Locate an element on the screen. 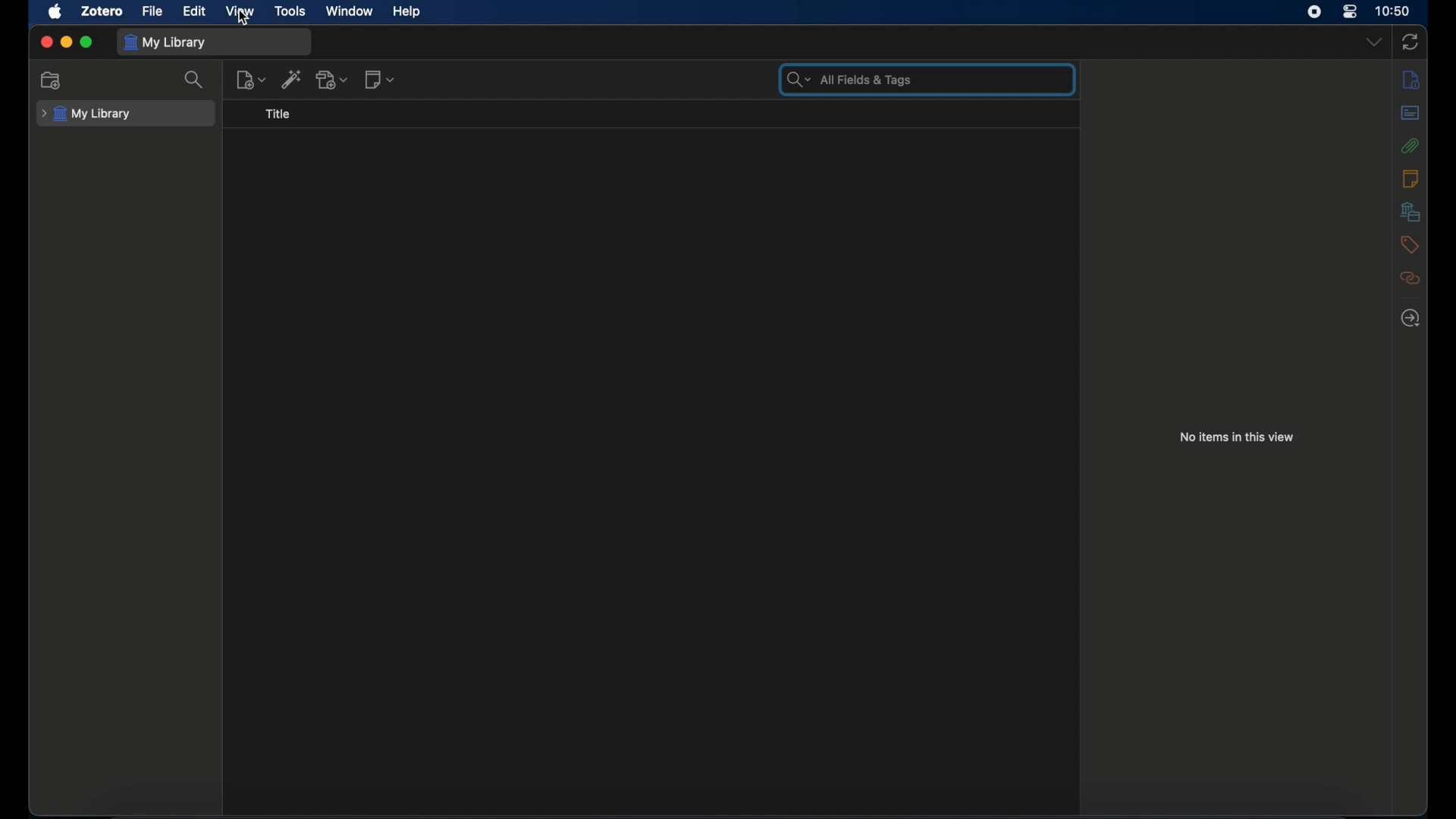  new collection is located at coordinates (52, 80).